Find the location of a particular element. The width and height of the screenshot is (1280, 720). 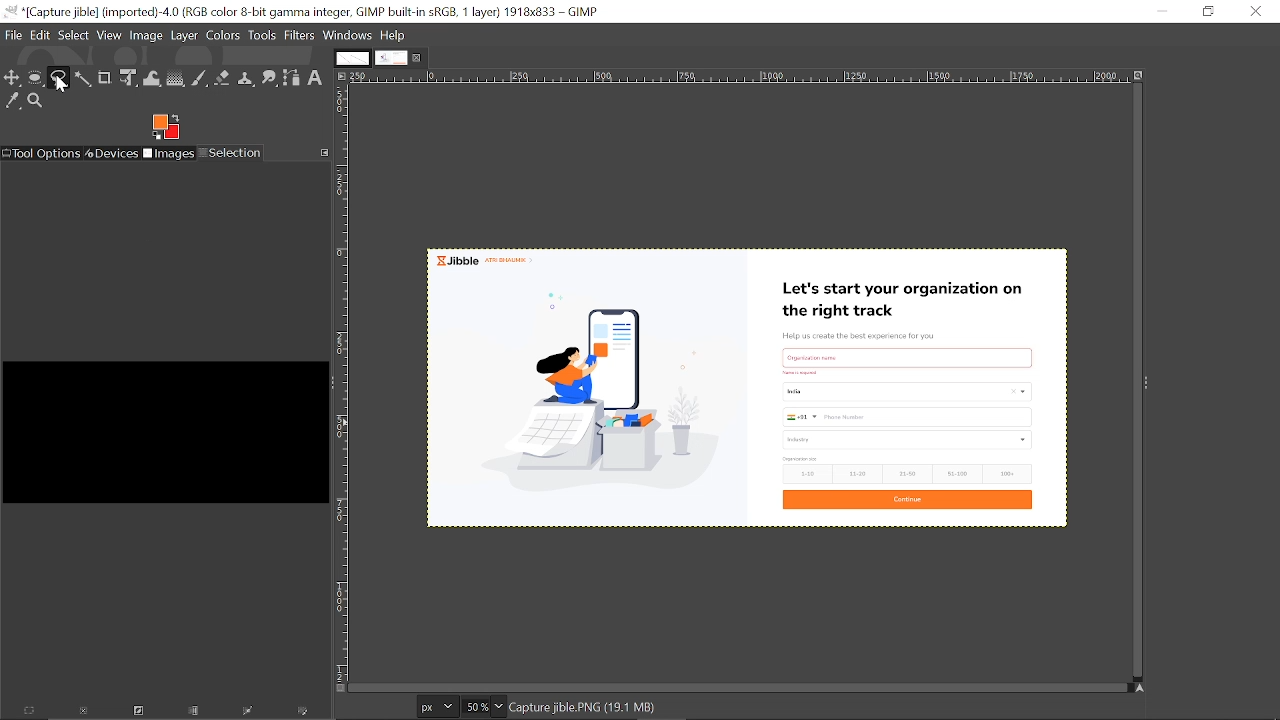

Current tab is located at coordinates (391, 59).